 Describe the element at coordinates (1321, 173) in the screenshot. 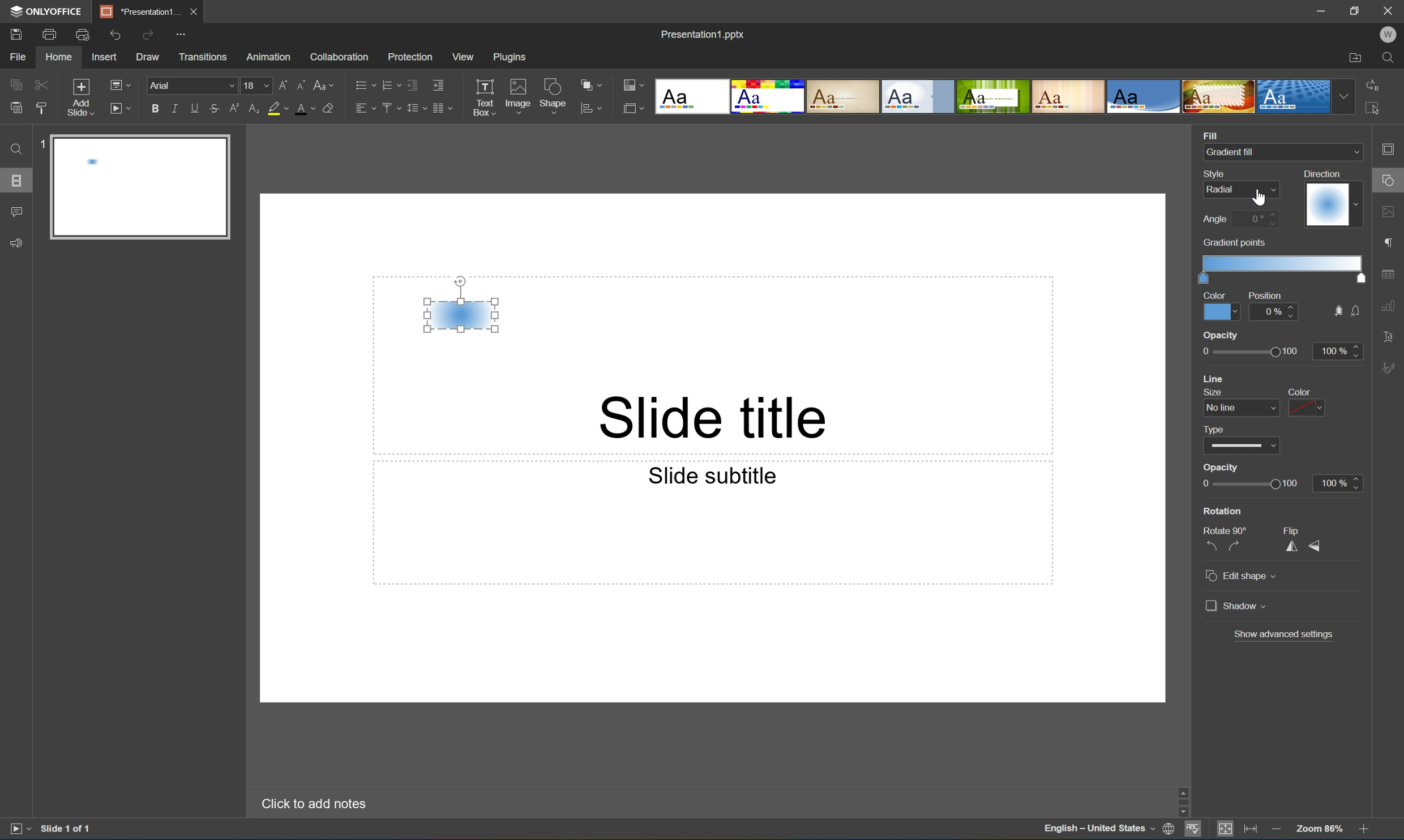

I see `Direction` at that location.